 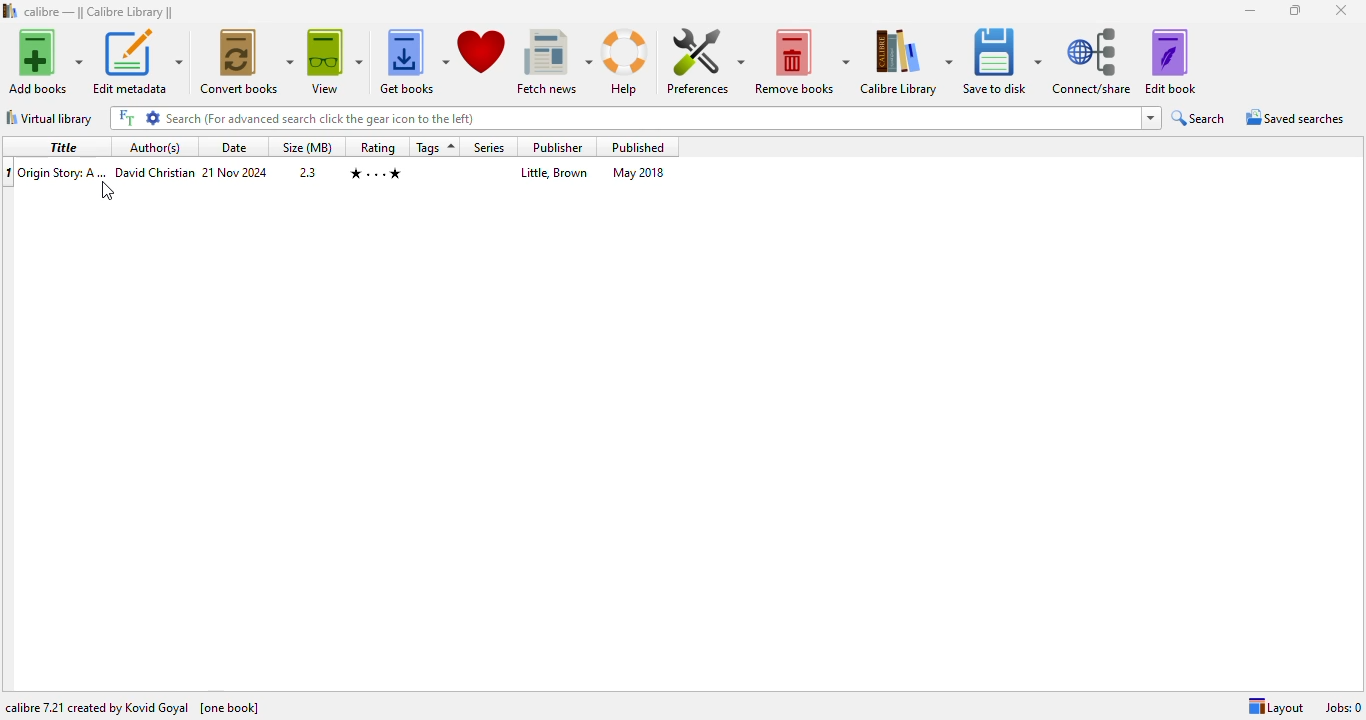 I want to click on series, so click(x=489, y=148).